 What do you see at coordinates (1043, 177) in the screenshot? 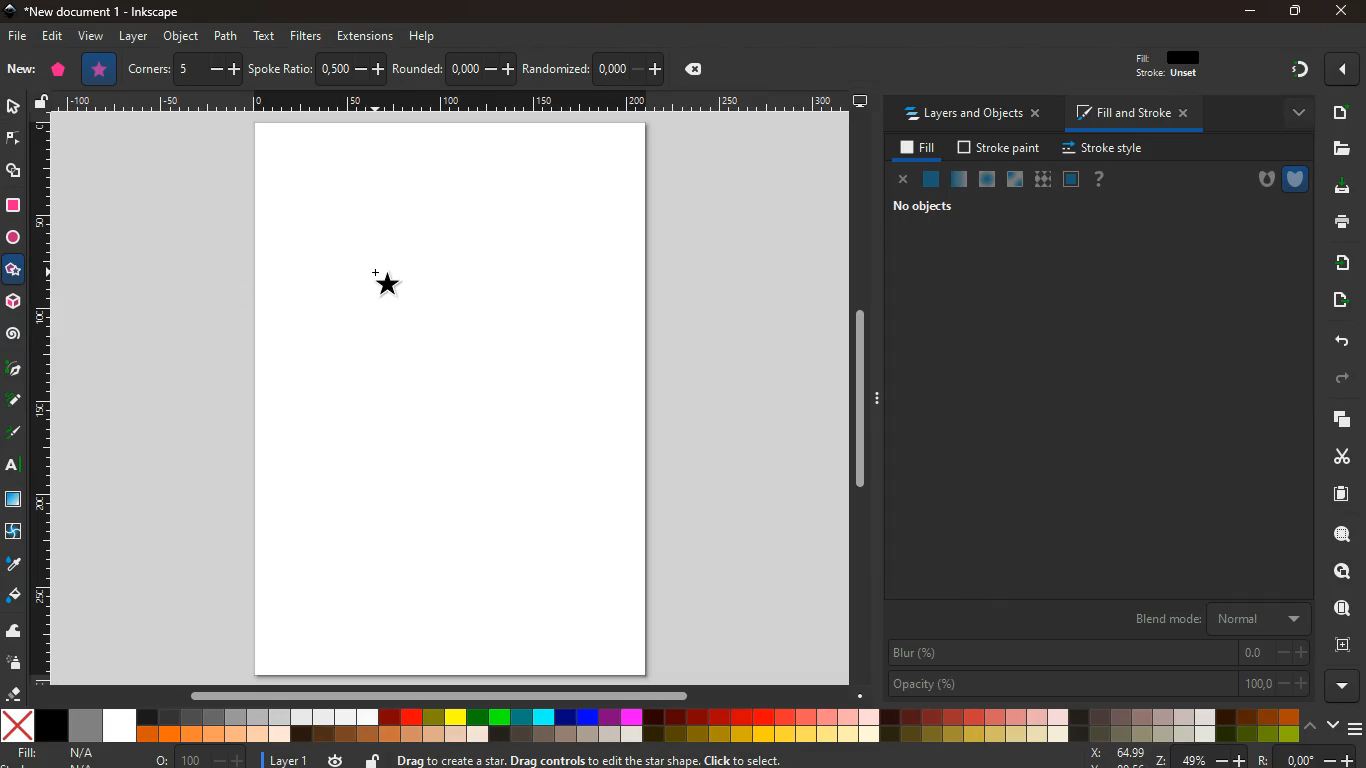
I see `texture` at bounding box center [1043, 177].